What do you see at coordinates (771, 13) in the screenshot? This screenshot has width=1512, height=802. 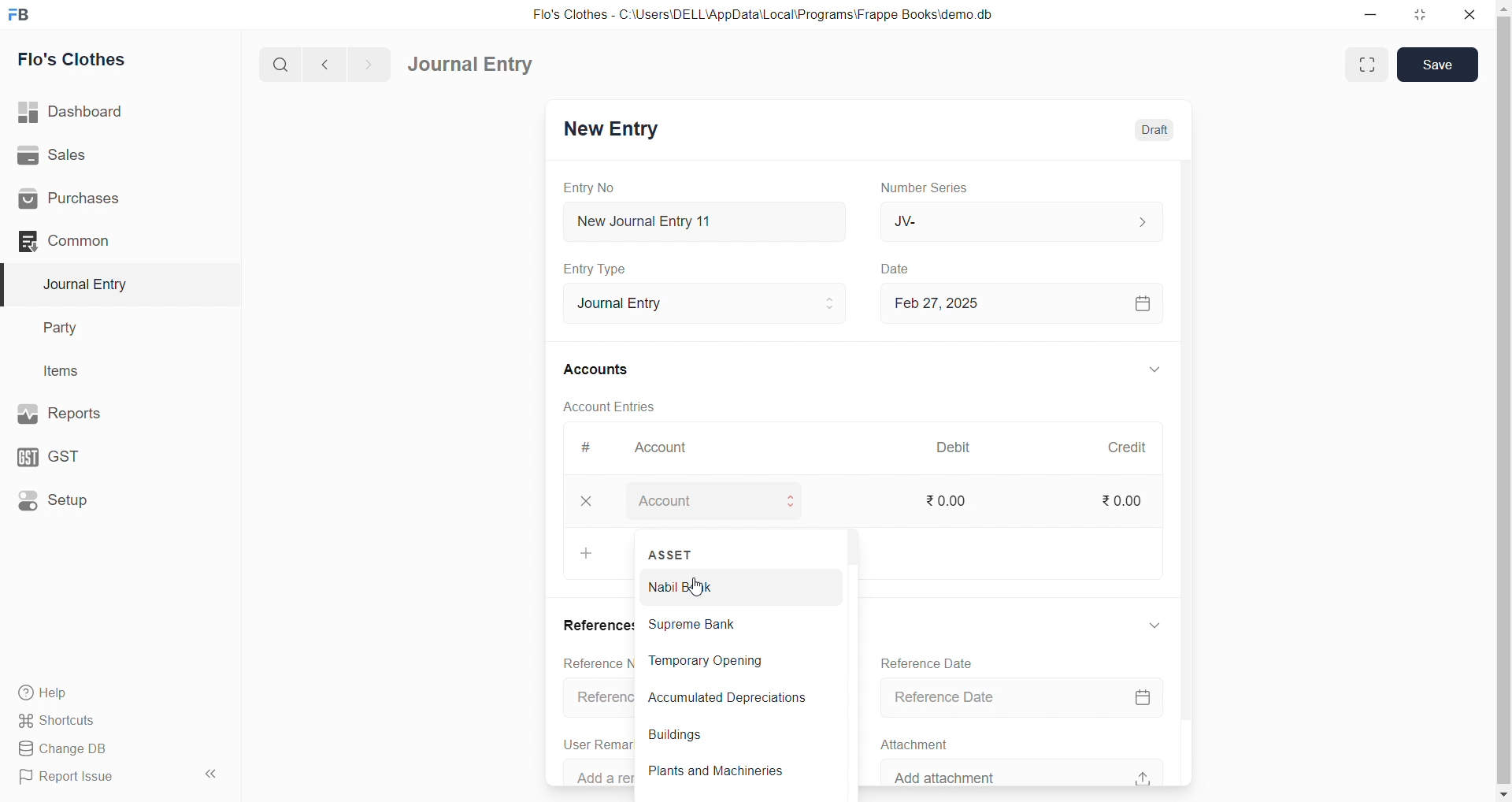 I see `Flo's Clothes - C:\Users\DELL\AppData\Local\Programs\Frappe Books\demo.db` at bounding box center [771, 13].